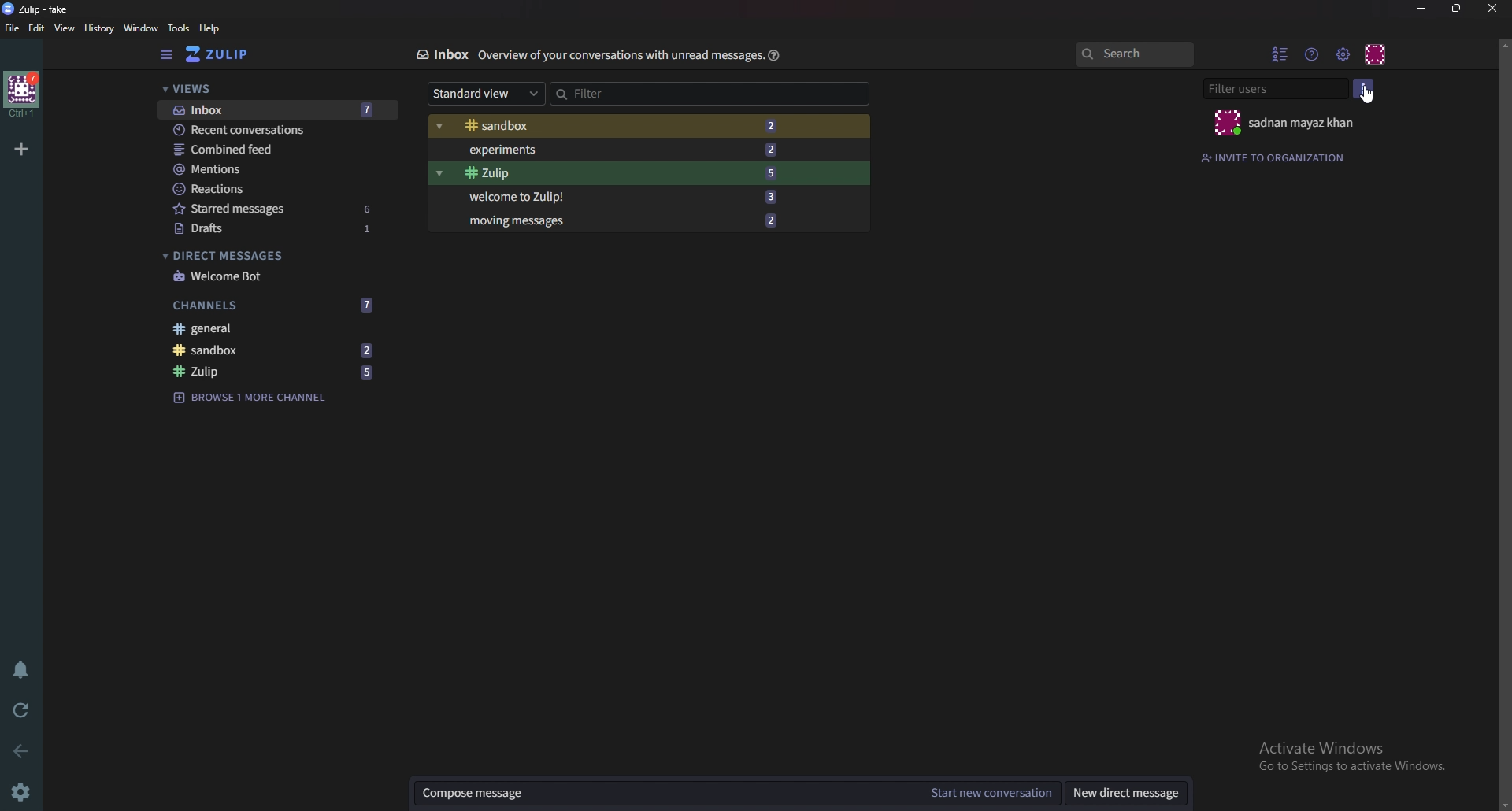  Describe the element at coordinates (629, 149) in the screenshot. I see `Experiments` at that location.